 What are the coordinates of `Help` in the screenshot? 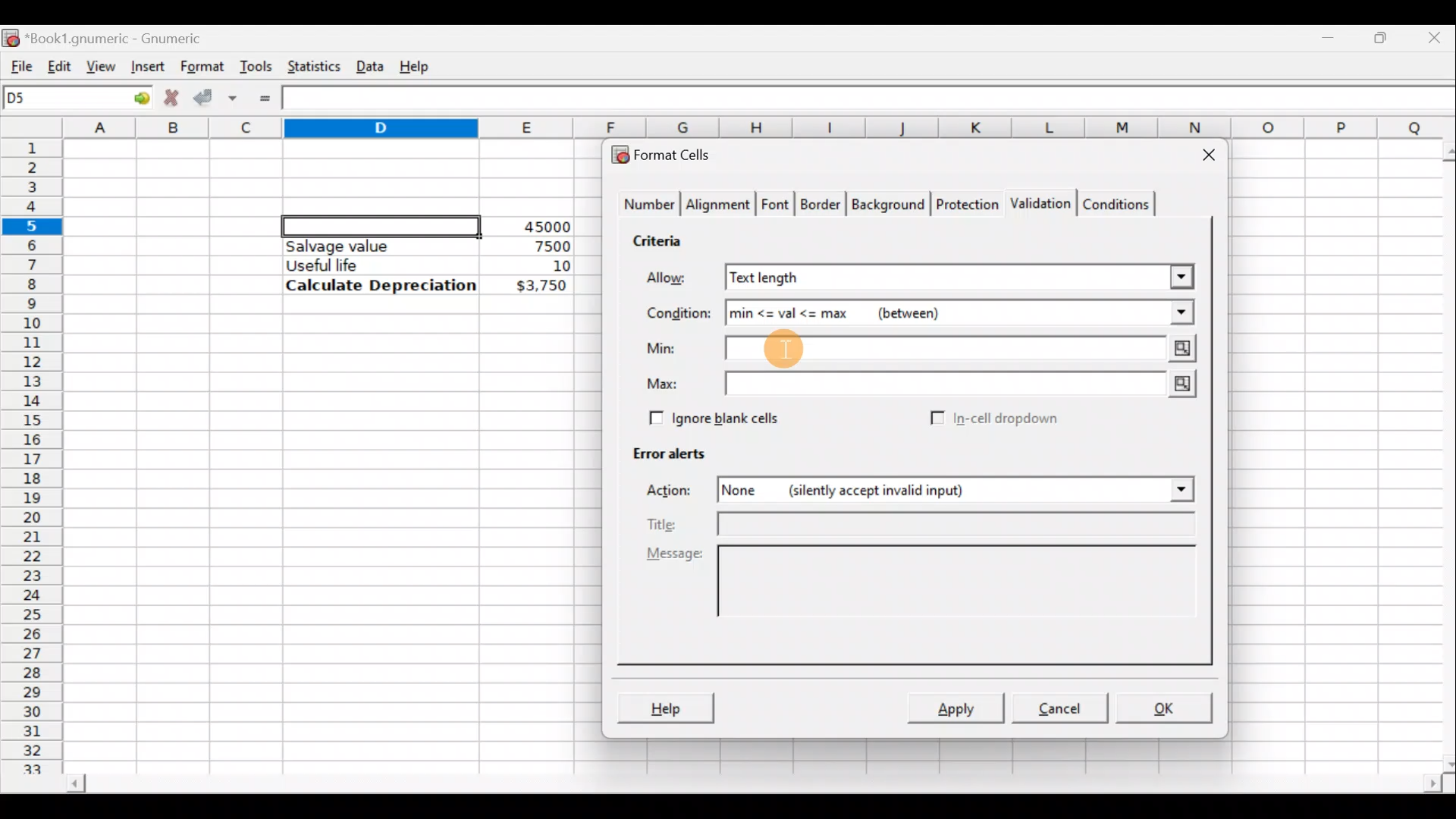 It's located at (665, 710).